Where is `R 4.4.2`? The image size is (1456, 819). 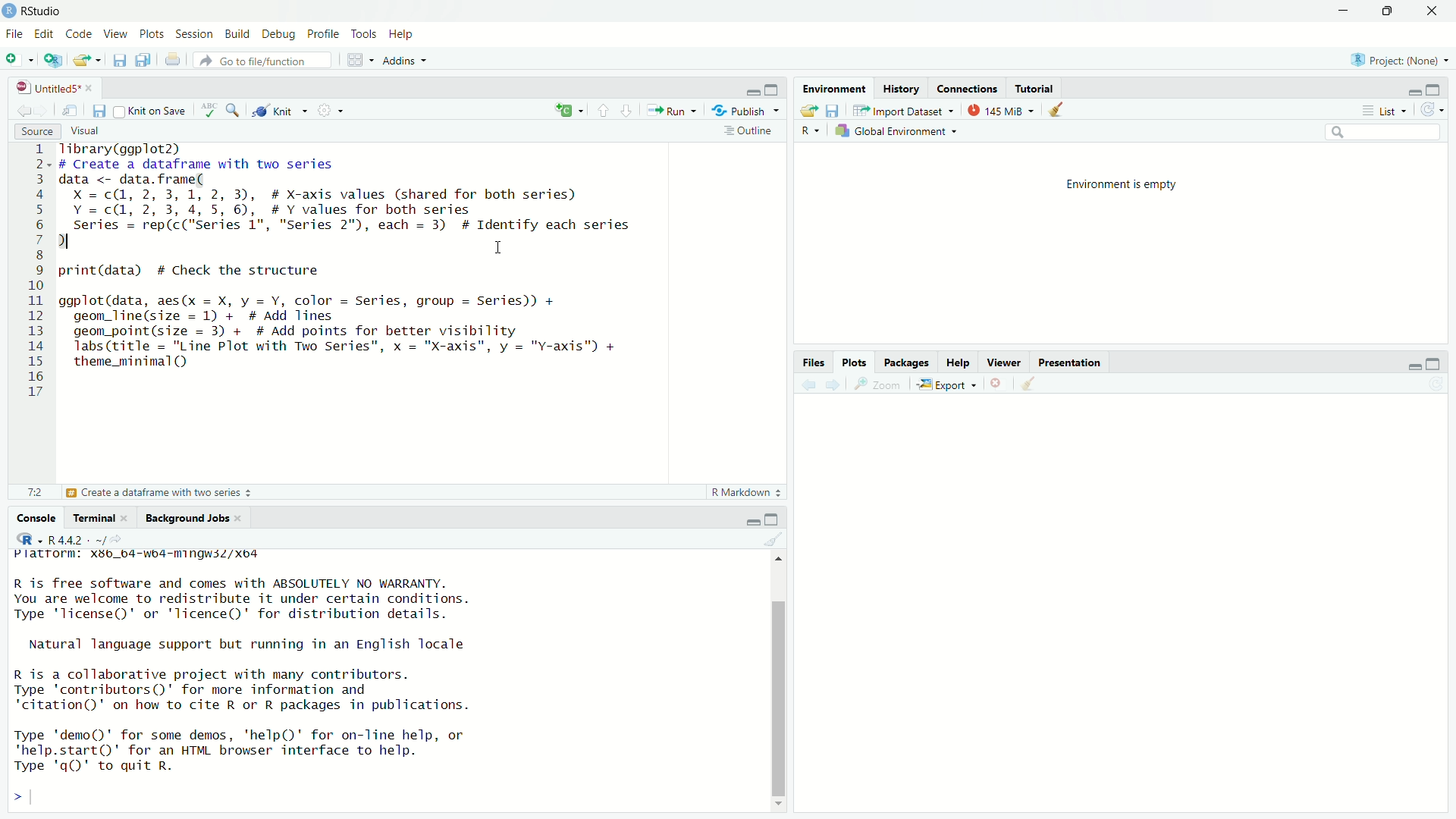 R 4.4.2 is located at coordinates (73, 539).